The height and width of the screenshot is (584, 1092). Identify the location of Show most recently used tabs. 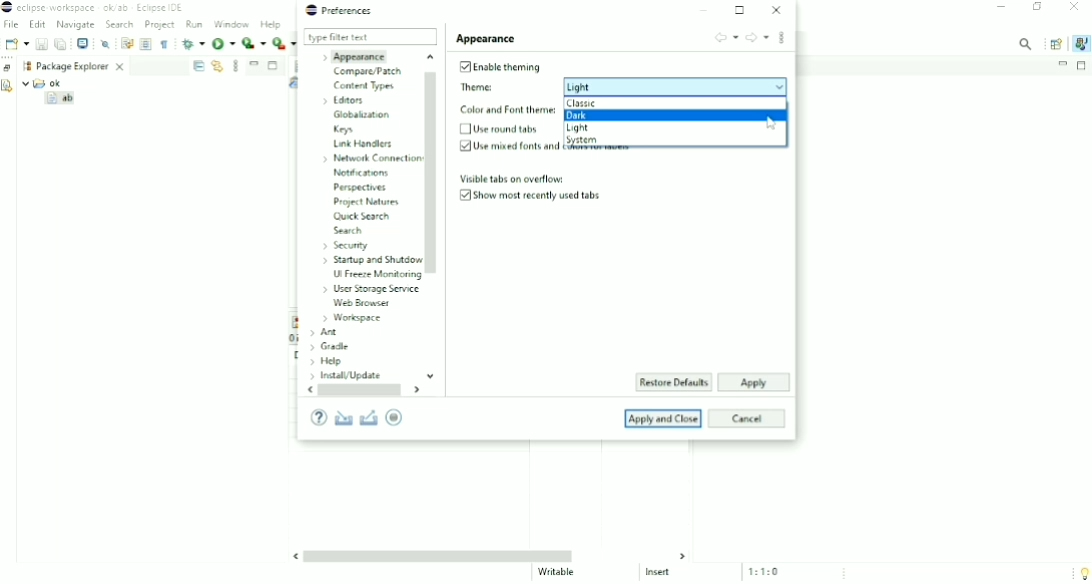
(534, 196).